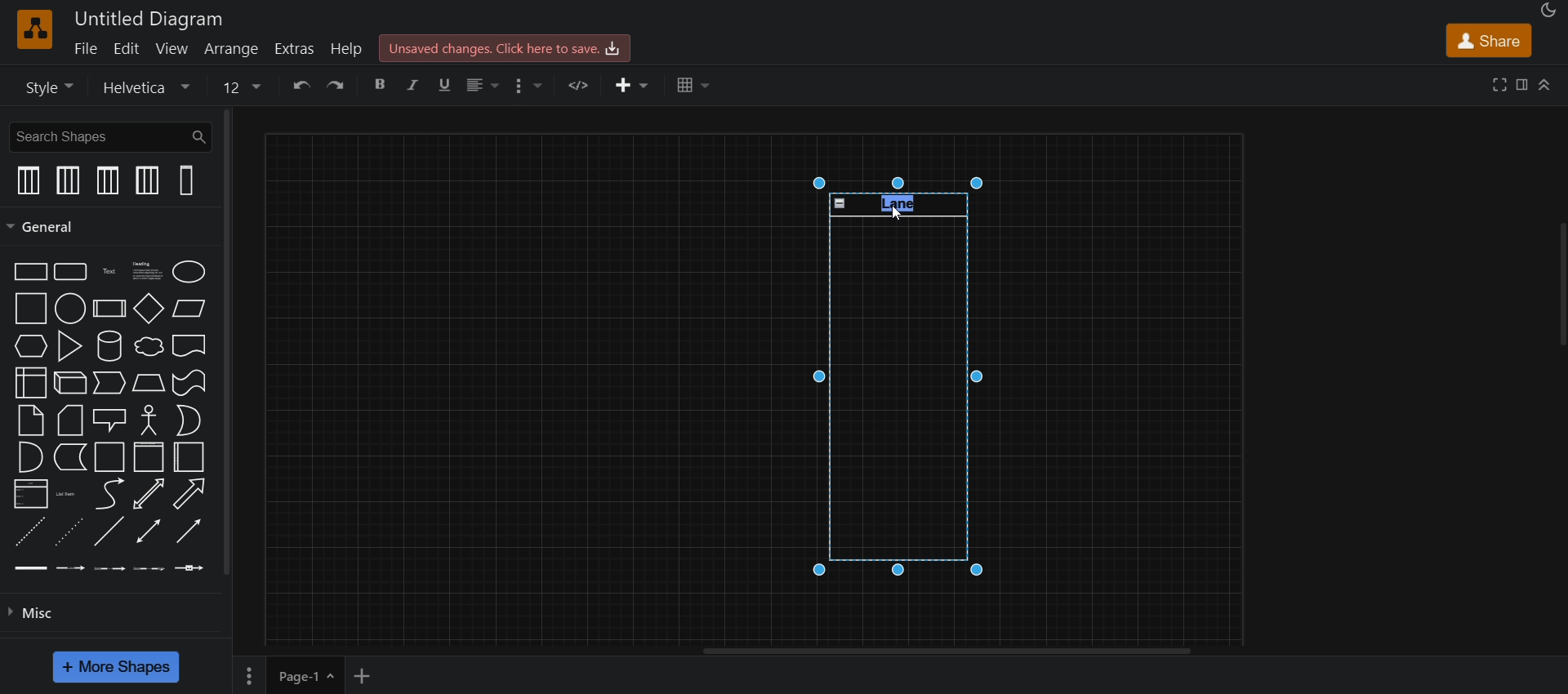  I want to click on square, so click(28, 309).